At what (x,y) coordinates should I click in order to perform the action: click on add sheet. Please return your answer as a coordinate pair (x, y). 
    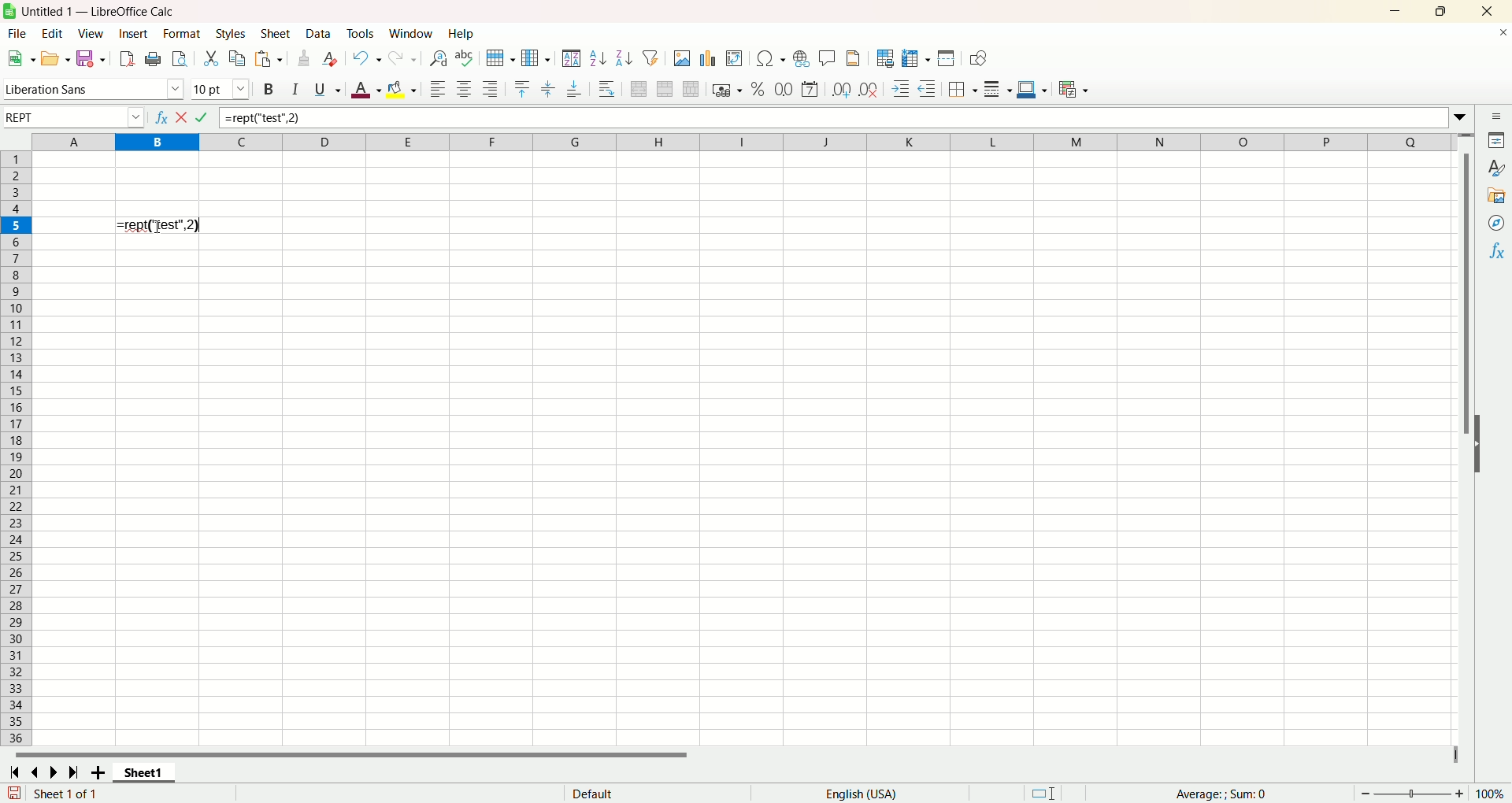
    Looking at the image, I should click on (100, 772).